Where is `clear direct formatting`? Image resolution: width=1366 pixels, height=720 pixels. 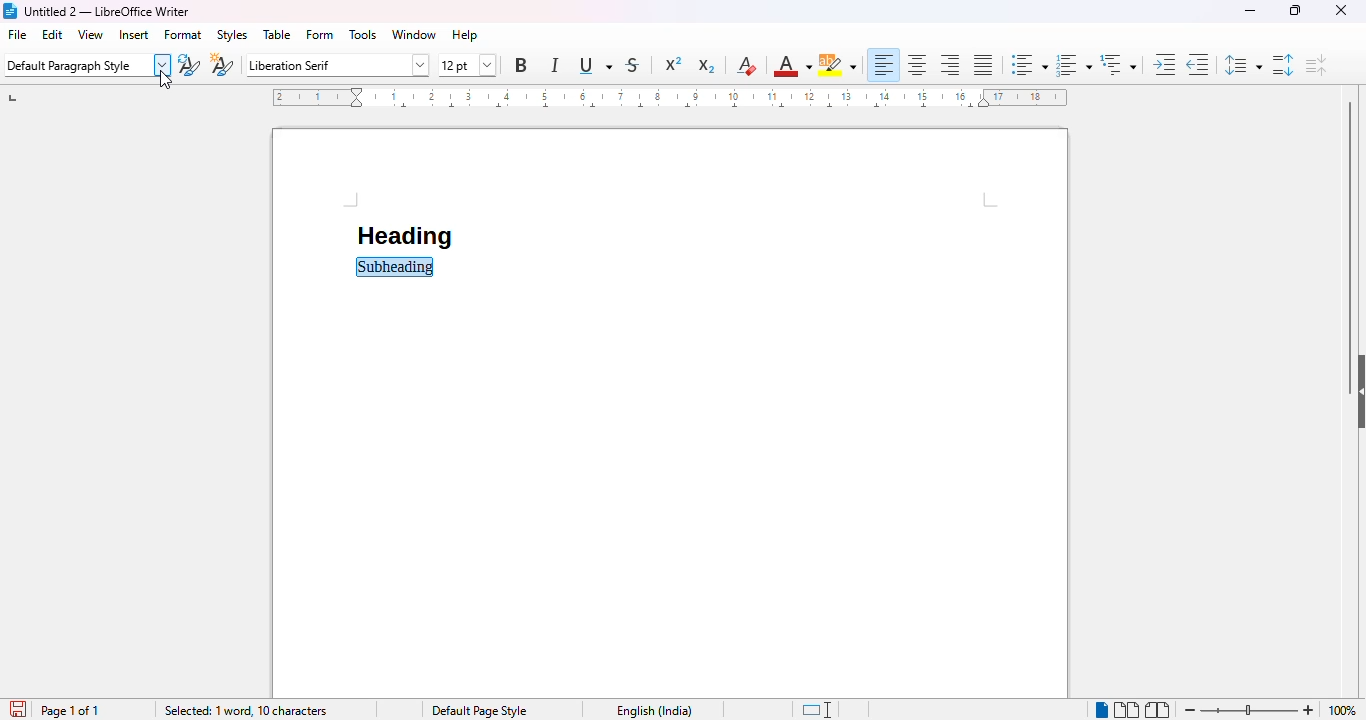 clear direct formatting is located at coordinates (746, 65).